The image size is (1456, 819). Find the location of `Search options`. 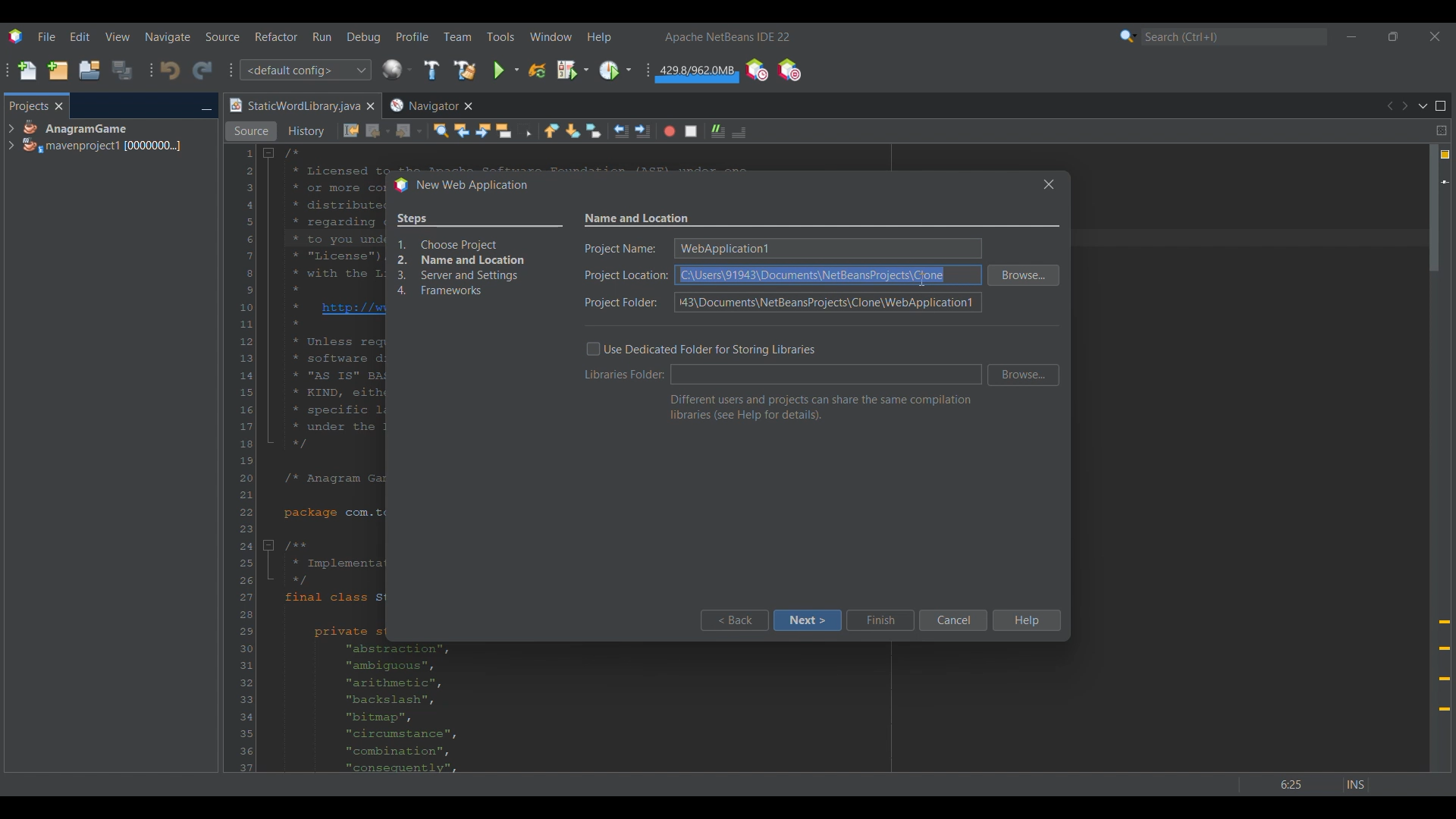

Search options is located at coordinates (1128, 36).